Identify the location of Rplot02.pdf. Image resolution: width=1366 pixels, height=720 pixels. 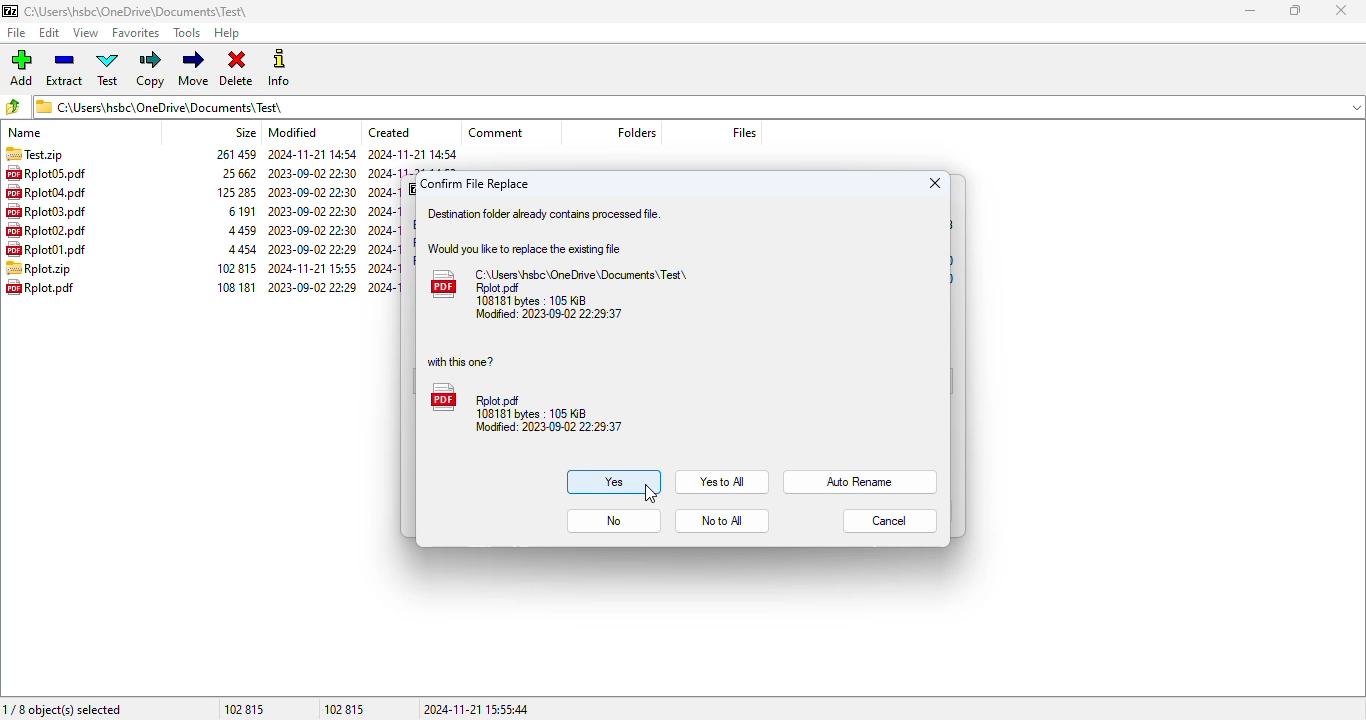
(47, 230).